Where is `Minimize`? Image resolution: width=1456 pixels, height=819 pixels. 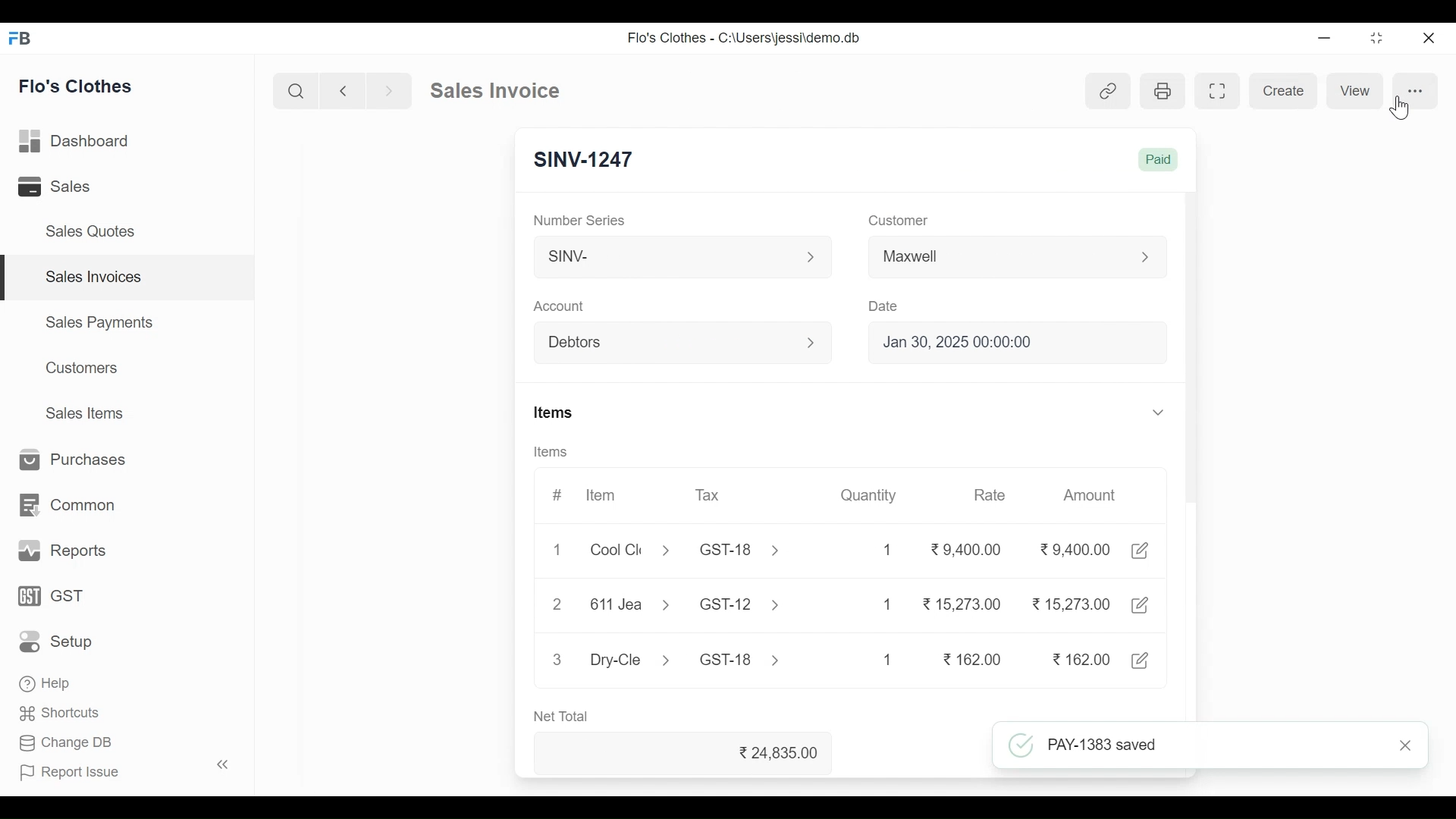
Minimize is located at coordinates (1324, 39).